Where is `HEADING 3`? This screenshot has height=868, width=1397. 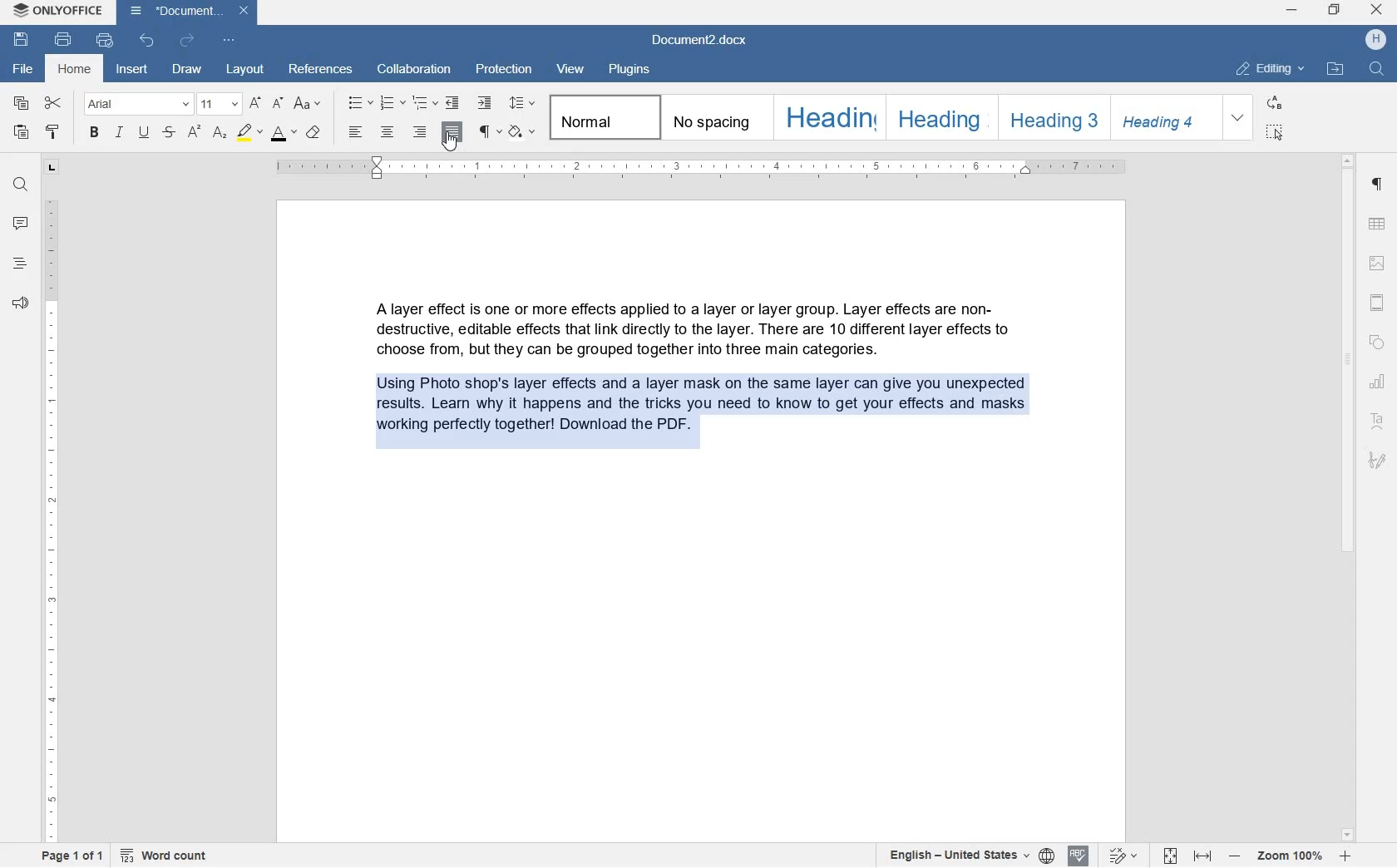 HEADING 3 is located at coordinates (1049, 116).